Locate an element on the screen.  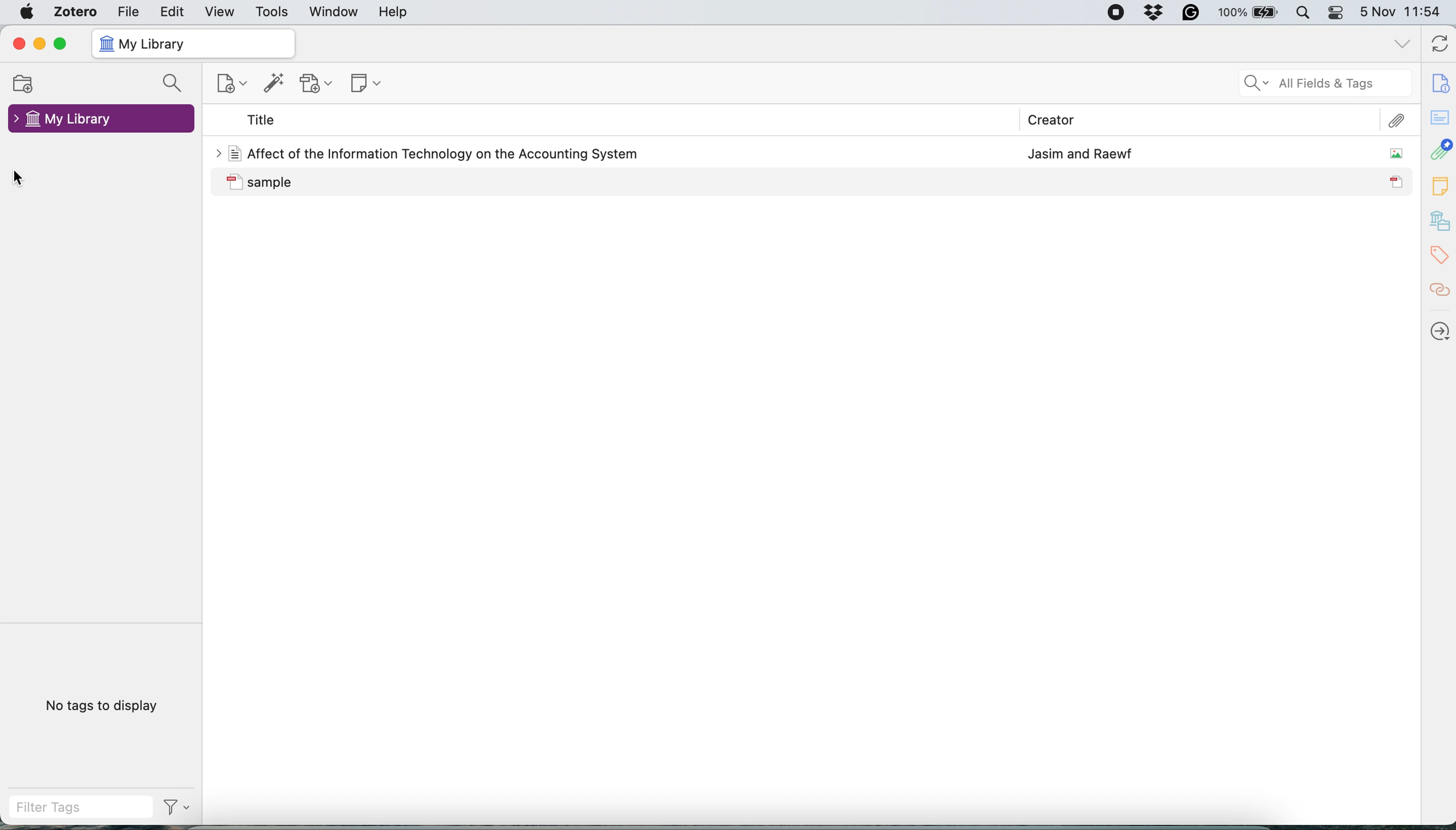
grammarly is located at coordinates (1189, 13).